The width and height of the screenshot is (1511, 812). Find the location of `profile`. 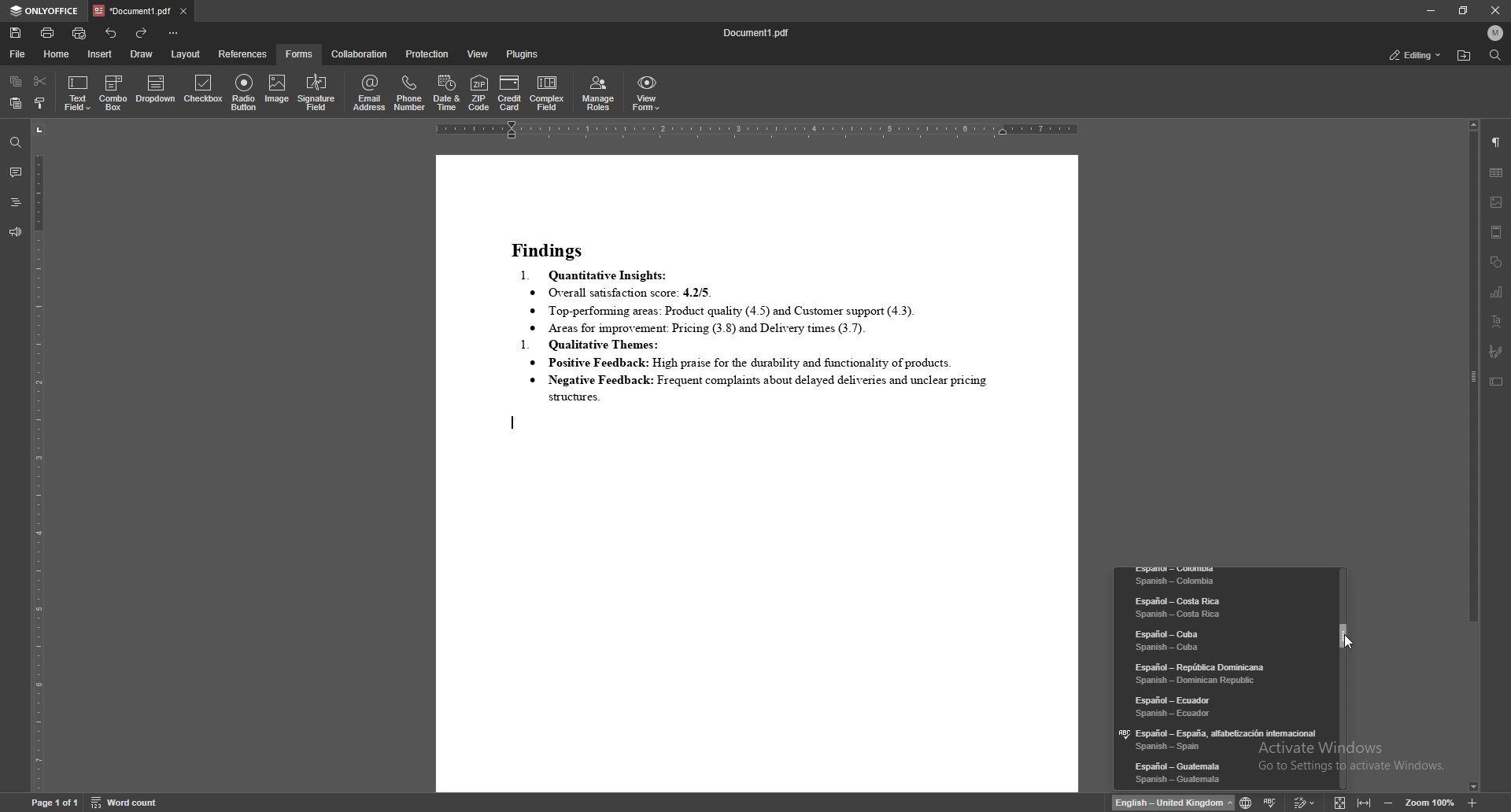

profile is located at coordinates (1495, 31).